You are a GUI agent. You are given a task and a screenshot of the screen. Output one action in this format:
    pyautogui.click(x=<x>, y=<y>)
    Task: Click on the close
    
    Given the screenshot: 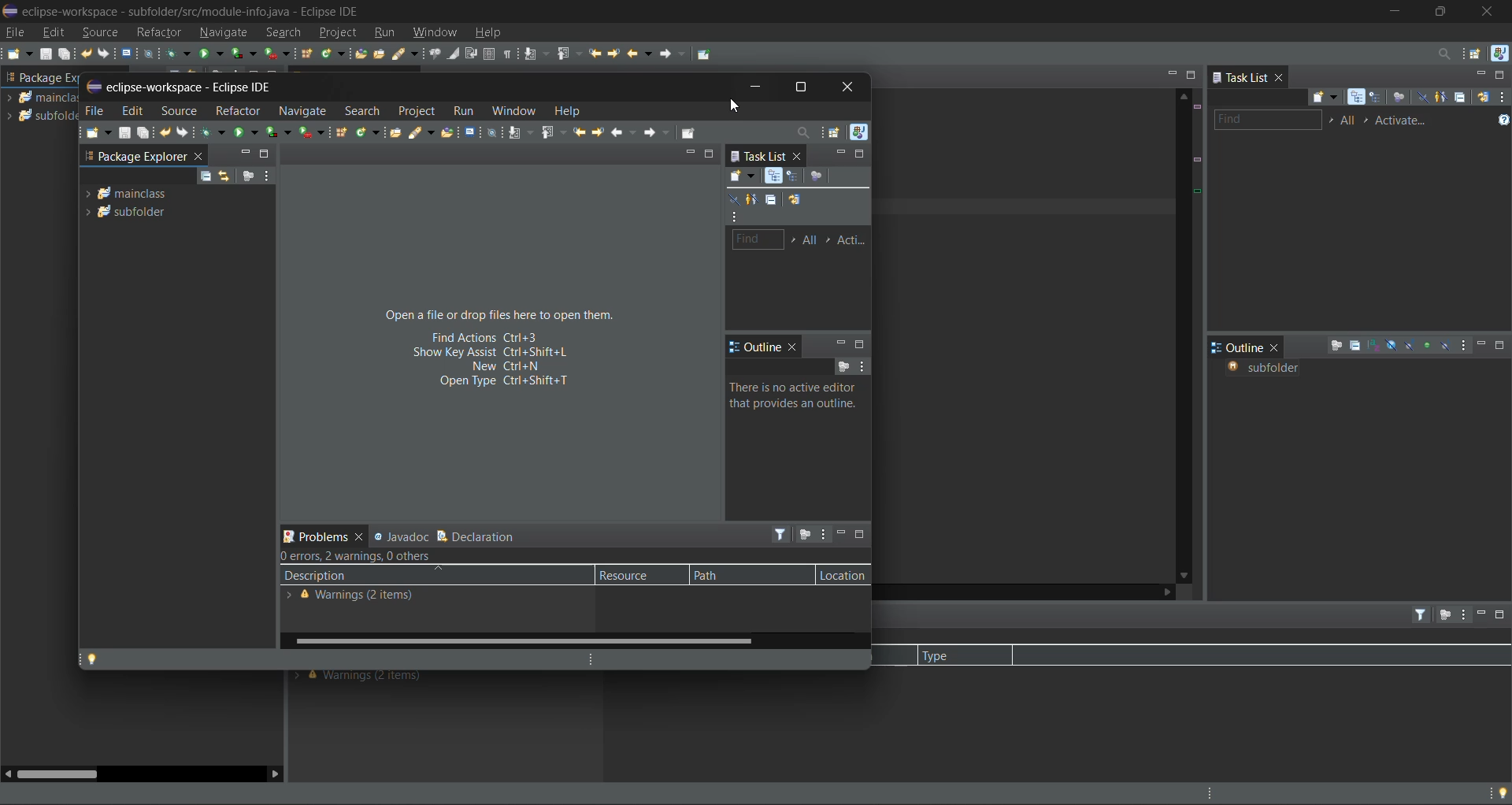 What is the action you would take?
    pyautogui.click(x=797, y=347)
    